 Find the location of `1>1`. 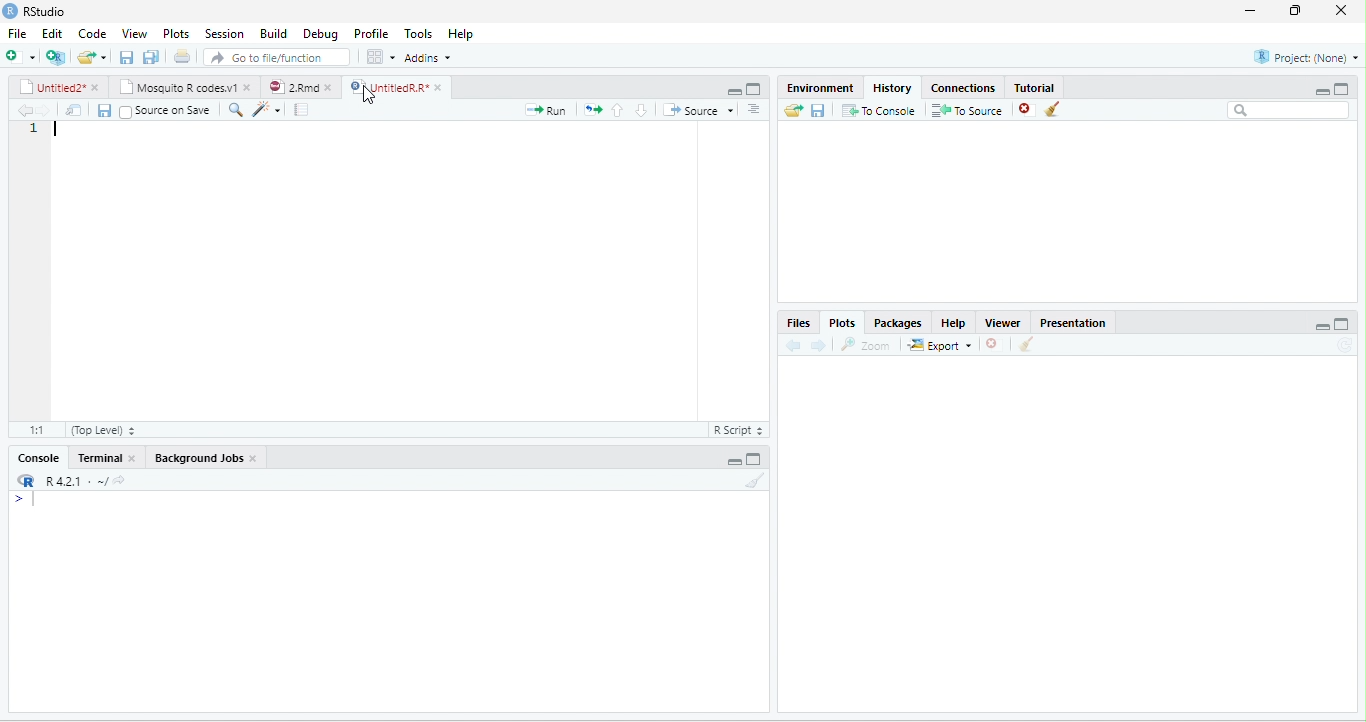

1>1 is located at coordinates (35, 429).